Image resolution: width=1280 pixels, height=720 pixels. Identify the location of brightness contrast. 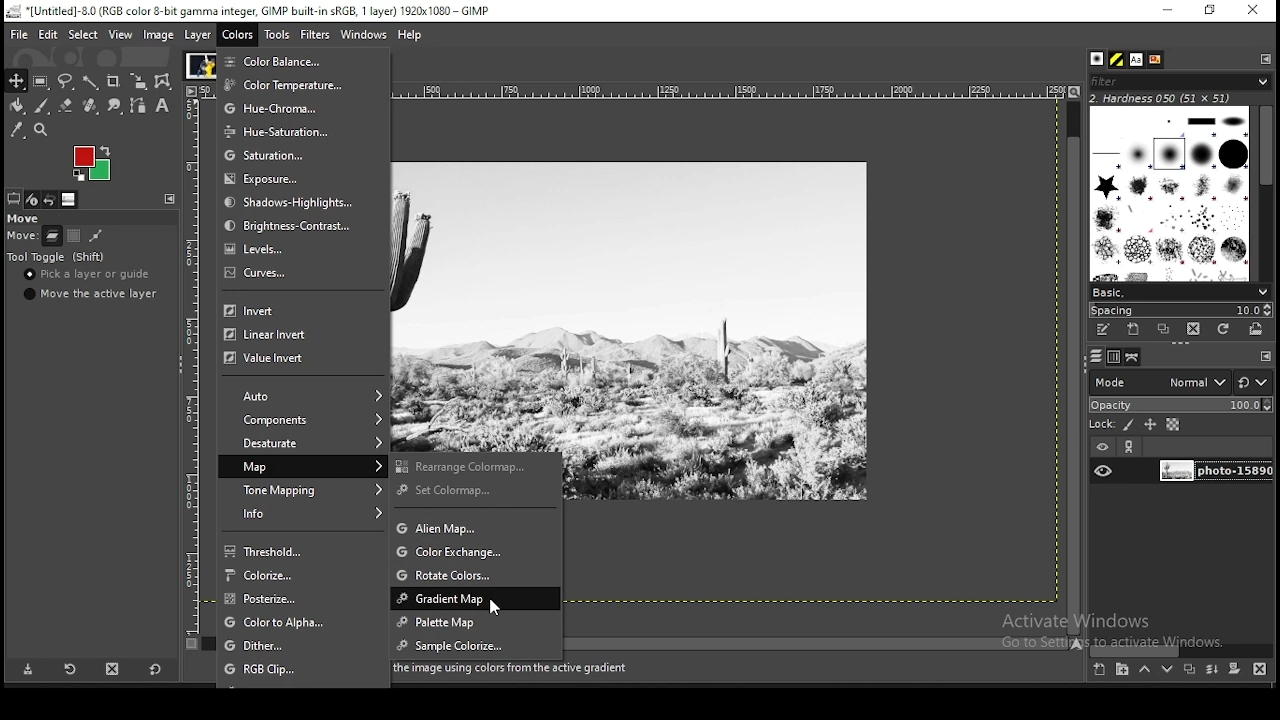
(293, 225).